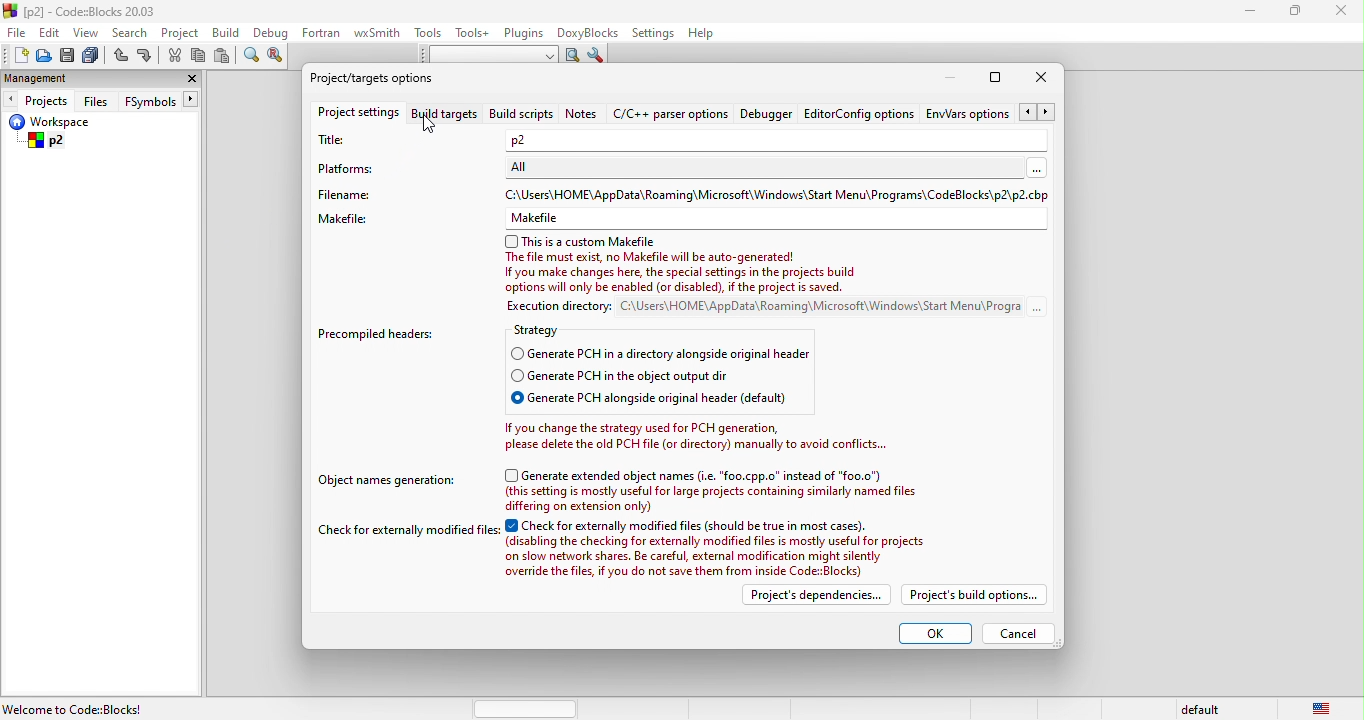  What do you see at coordinates (92, 56) in the screenshot?
I see `save everything` at bounding box center [92, 56].